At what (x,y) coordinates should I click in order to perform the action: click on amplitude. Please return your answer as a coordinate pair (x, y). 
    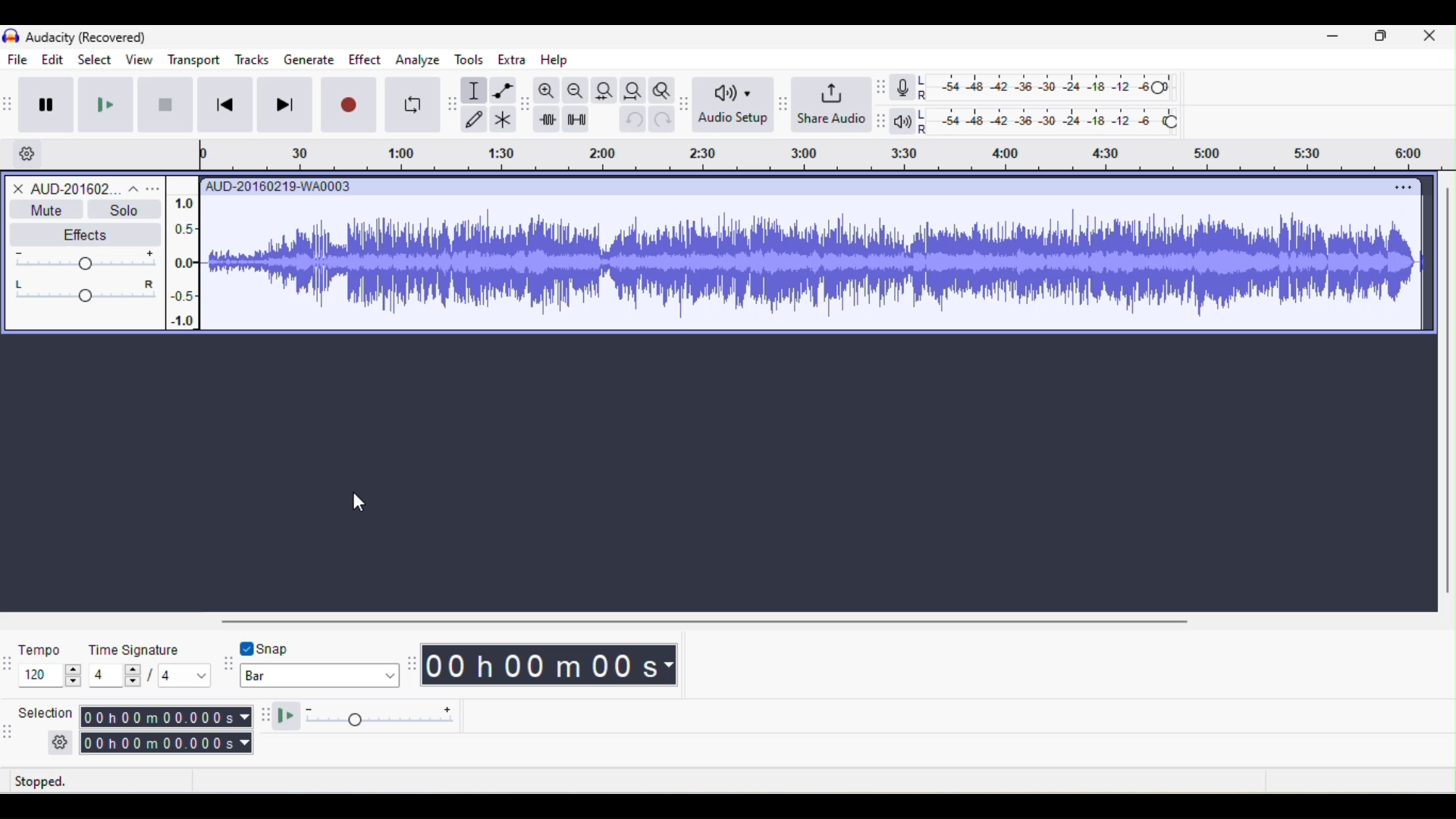
    Looking at the image, I should click on (184, 264).